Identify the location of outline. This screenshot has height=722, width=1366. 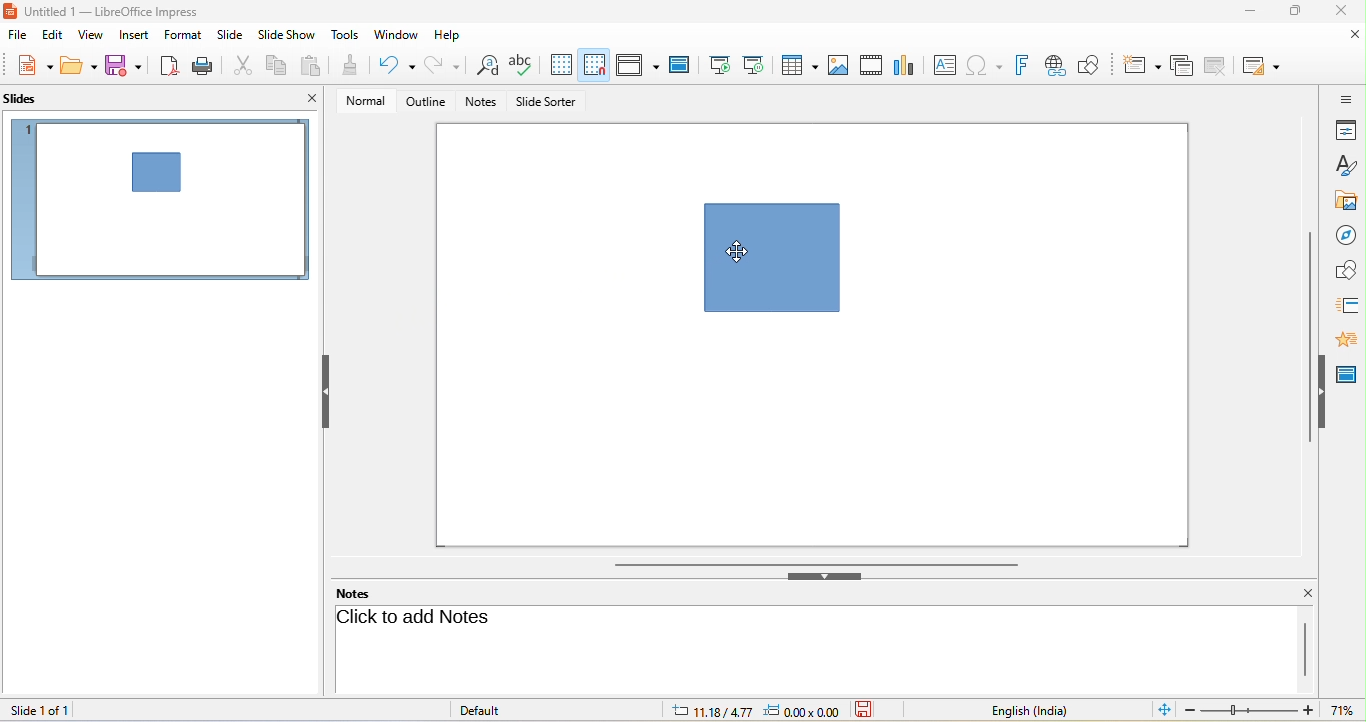
(428, 102).